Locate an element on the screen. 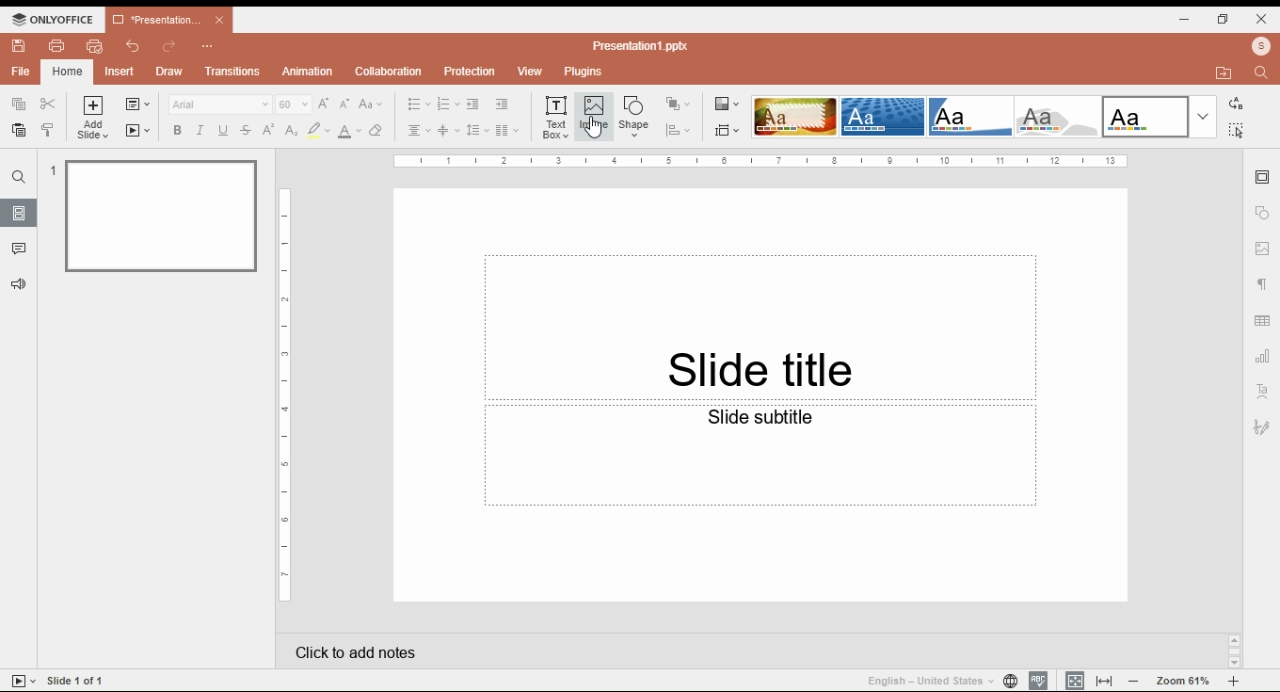 The image size is (1280, 692). home is located at coordinates (68, 72).